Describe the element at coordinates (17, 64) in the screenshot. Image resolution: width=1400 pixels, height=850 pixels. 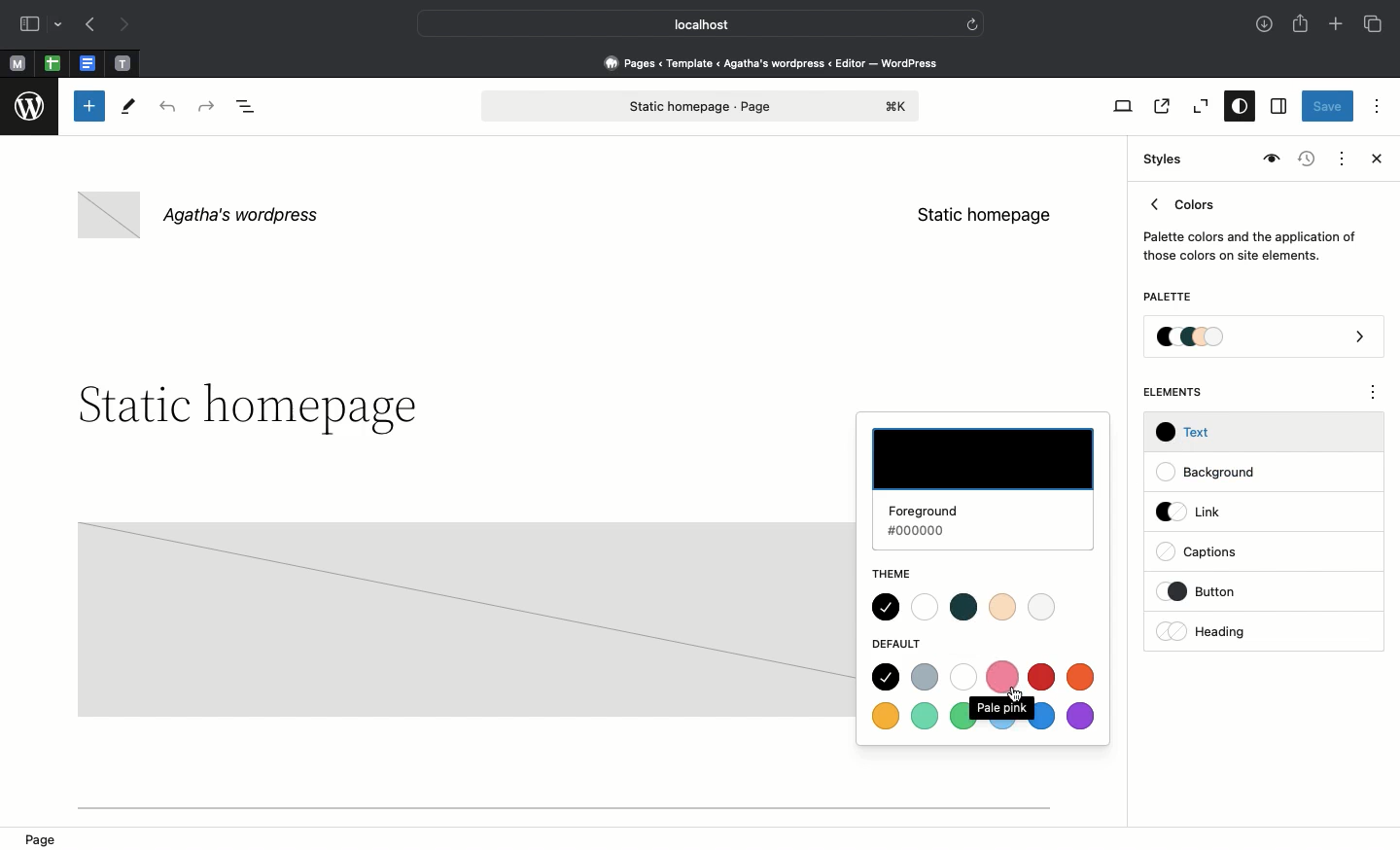
I see `Pinned tab` at that location.